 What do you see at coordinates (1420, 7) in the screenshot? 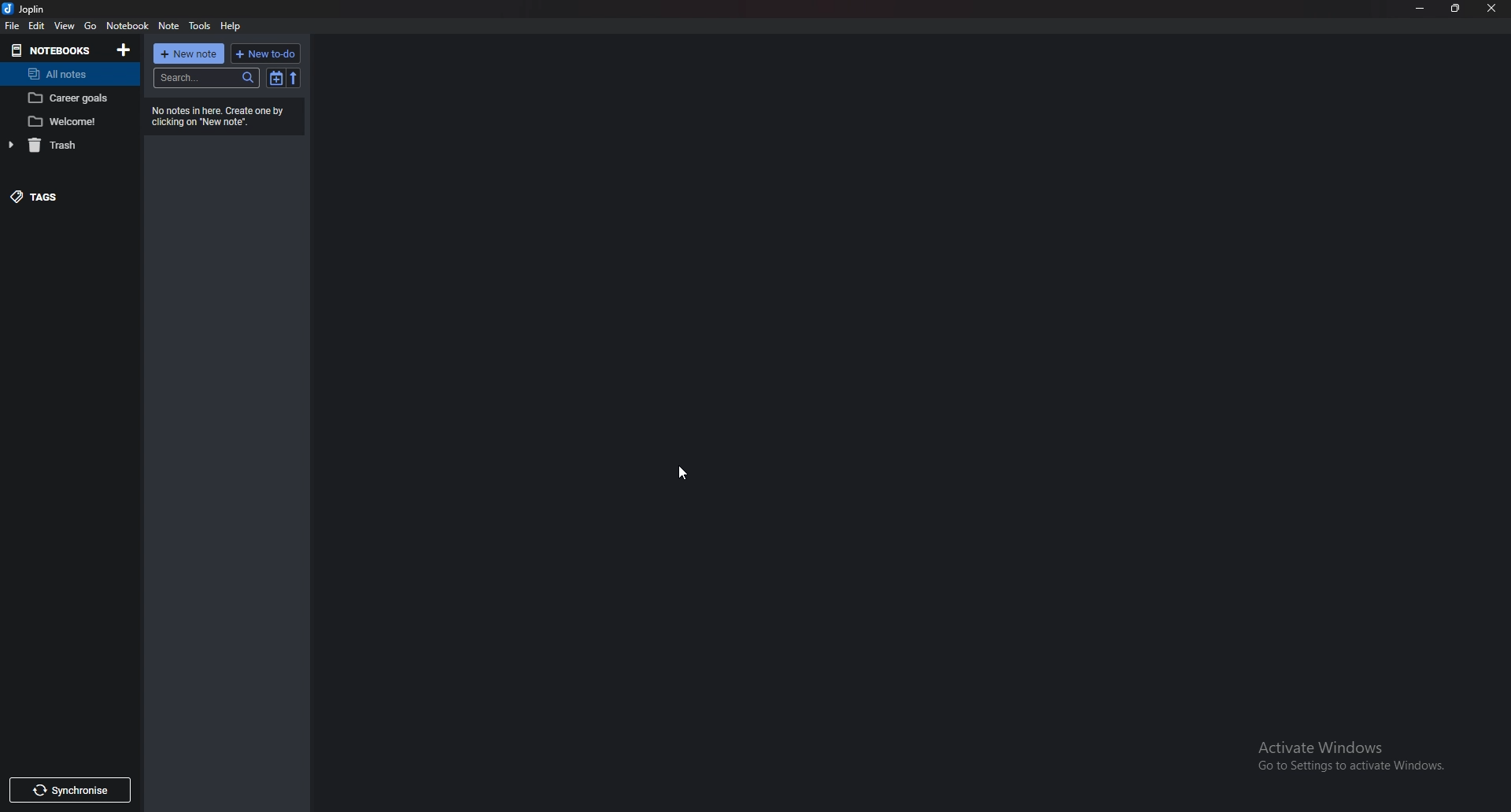
I see `minimize` at bounding box center [1420, 7].